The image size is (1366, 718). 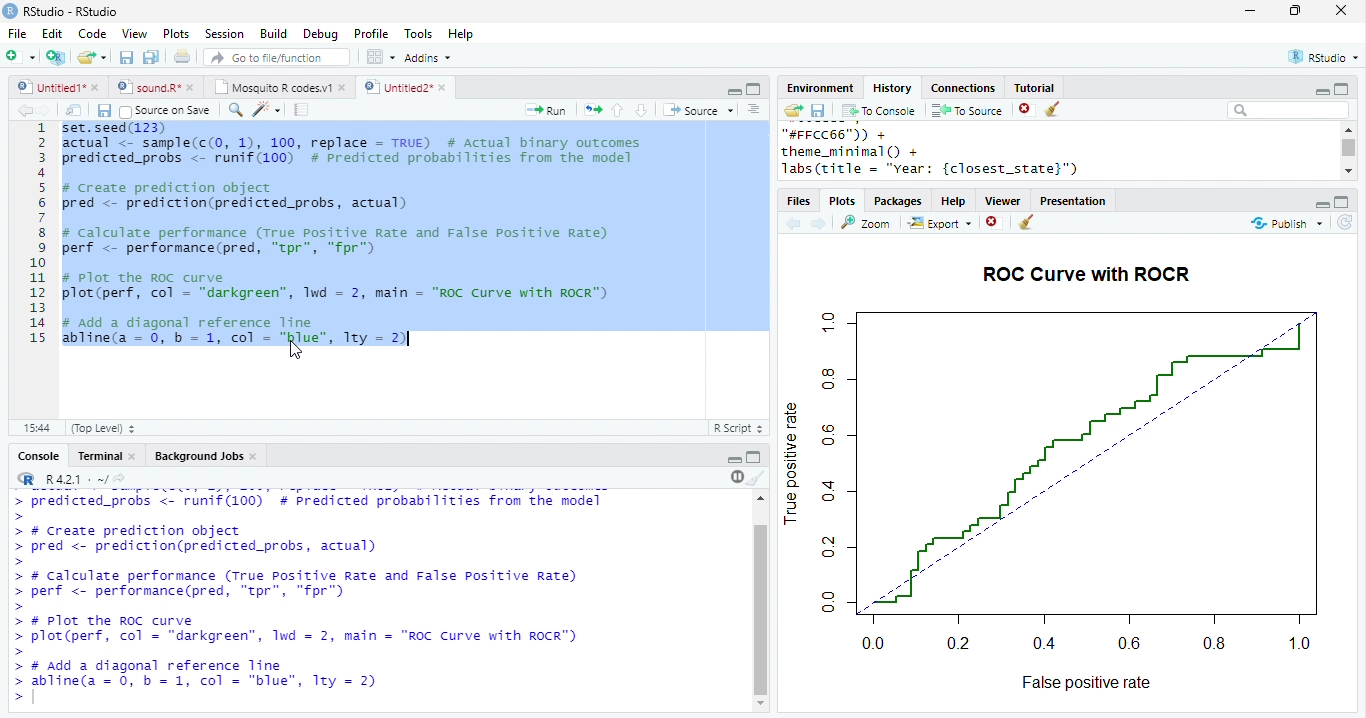 I want to click on pause, so click(x=735, y=477).